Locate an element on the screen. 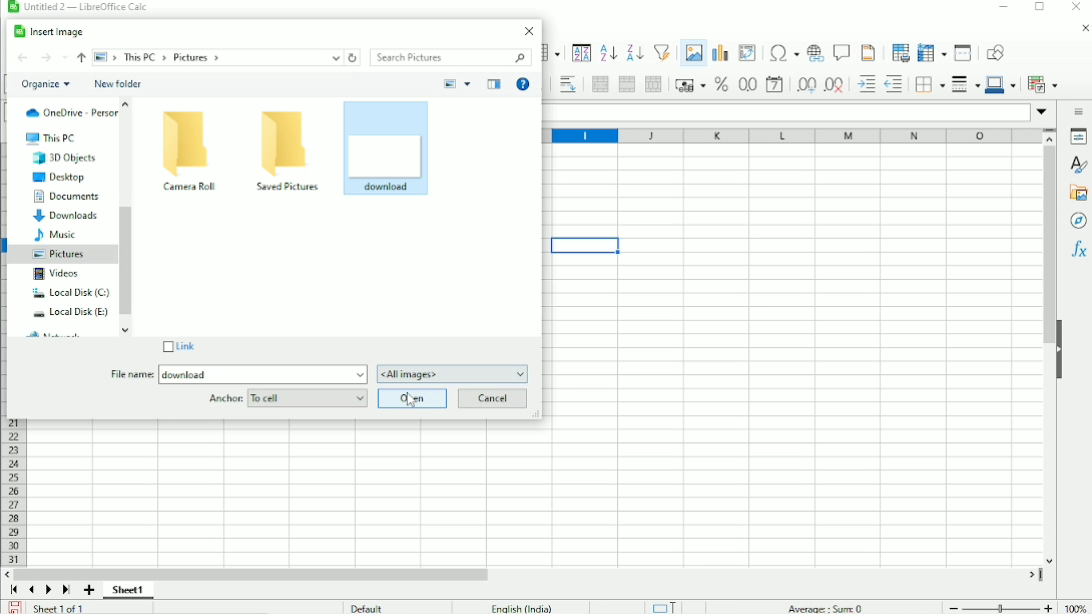 Image resolution: width=1092 pixels, height=614 pixels. Freeze rows and columns is located at coordinates (931, 52).